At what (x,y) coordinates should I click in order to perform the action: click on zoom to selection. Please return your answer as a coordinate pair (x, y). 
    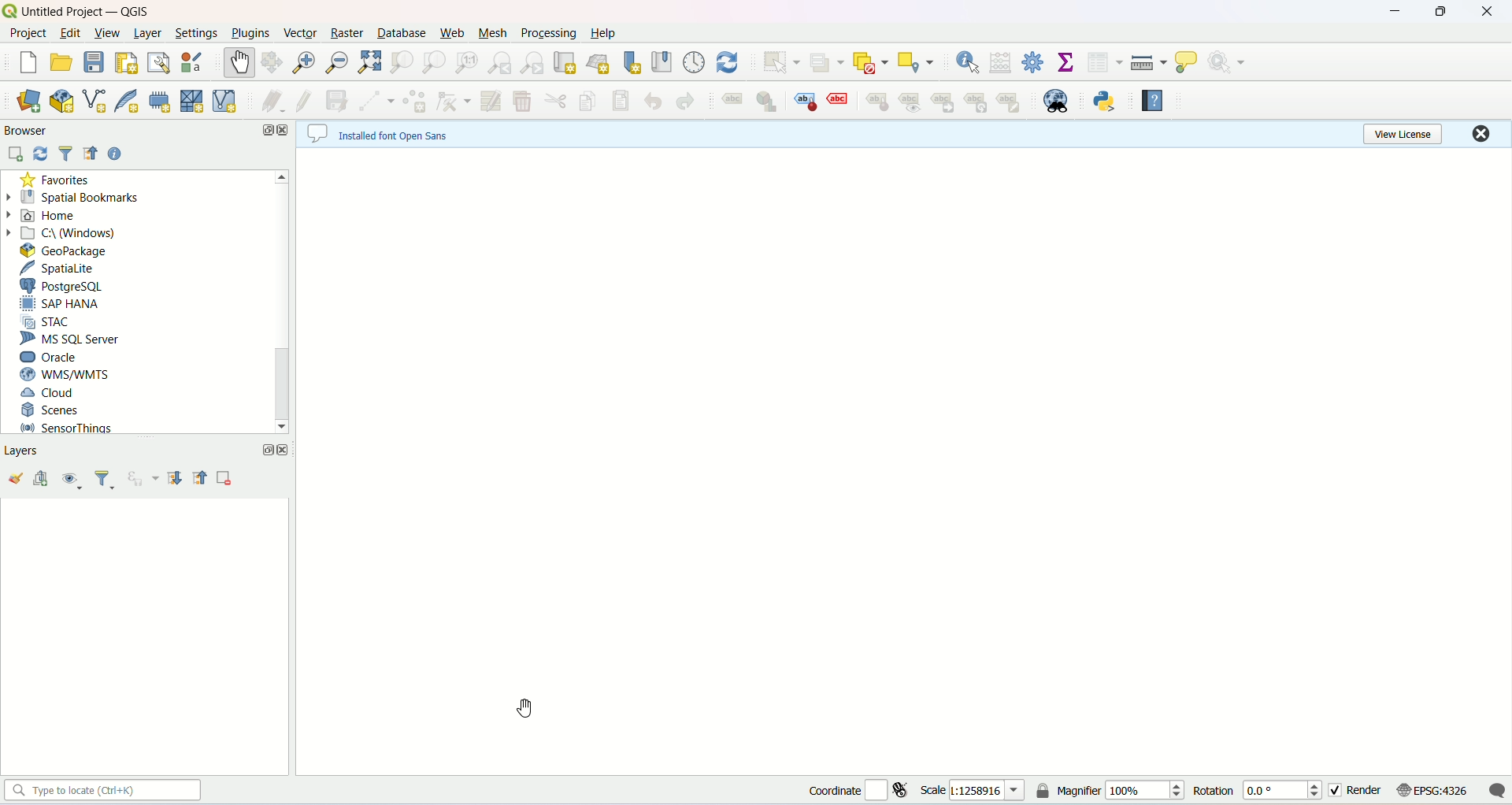
    Looking at the image, I should click on (402, 63).